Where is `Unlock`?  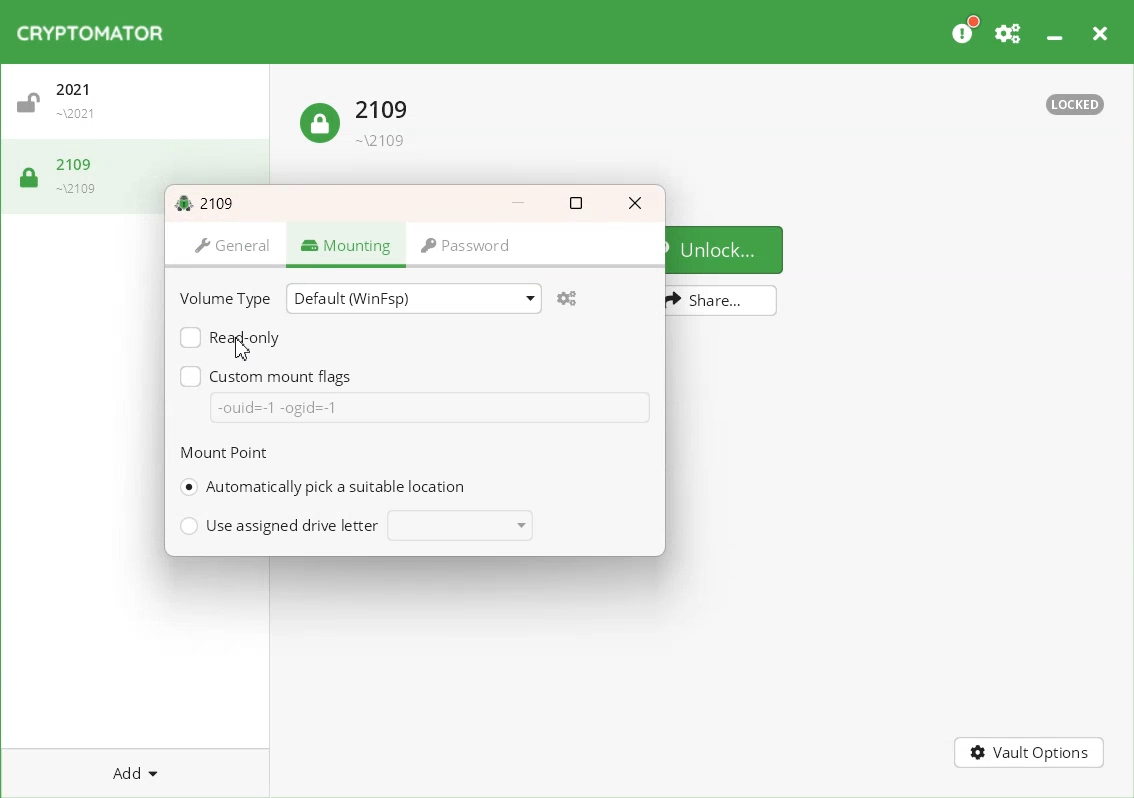
Unlock is located at coordinates (727, 248).